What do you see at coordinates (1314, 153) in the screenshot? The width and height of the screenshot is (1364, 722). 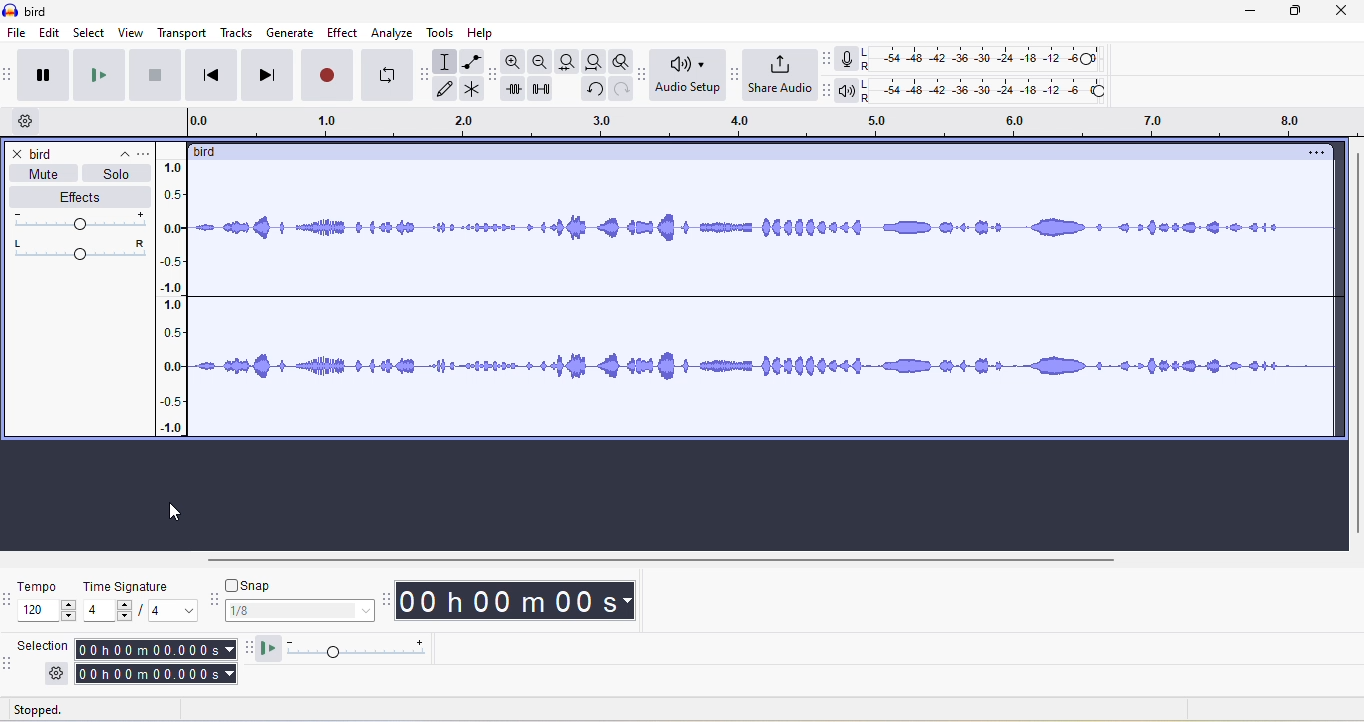 I see `option` at bounding box center [1314, 153].